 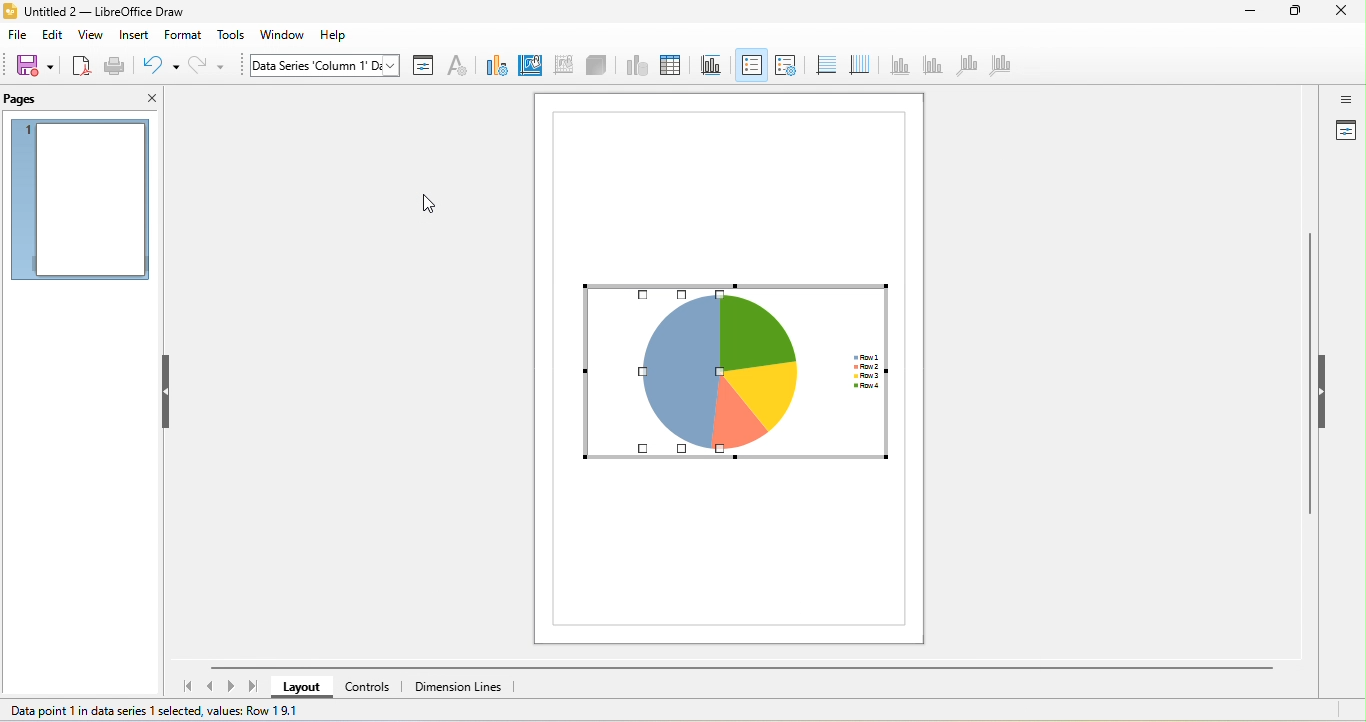 What do you see at coordinates (598, 66) in the screenshot?
I see `3D view` at bounding box center [598, 66].